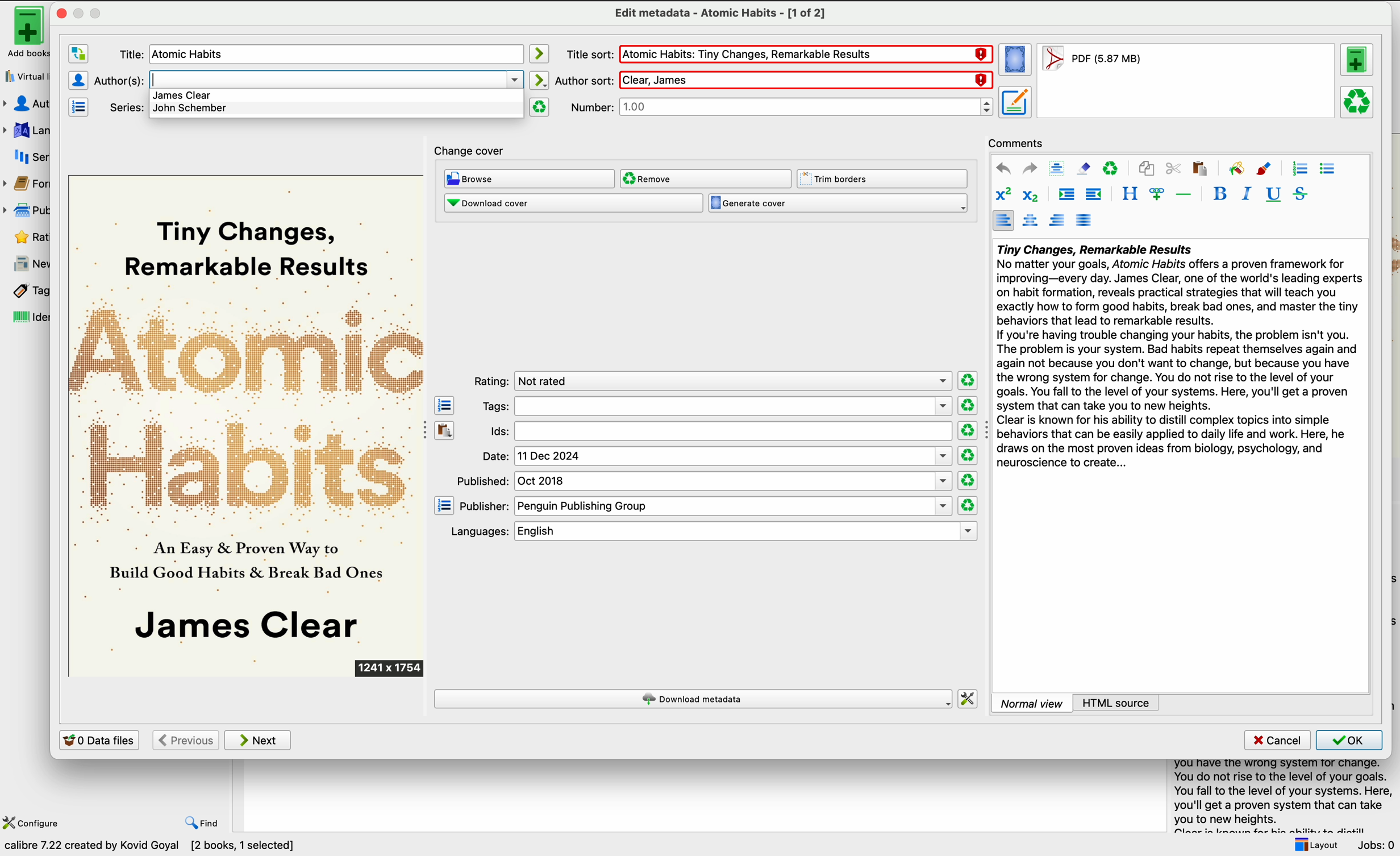  Describe the element at coordinates (803, 80) in the screenshot. I see `author in red` at that location.